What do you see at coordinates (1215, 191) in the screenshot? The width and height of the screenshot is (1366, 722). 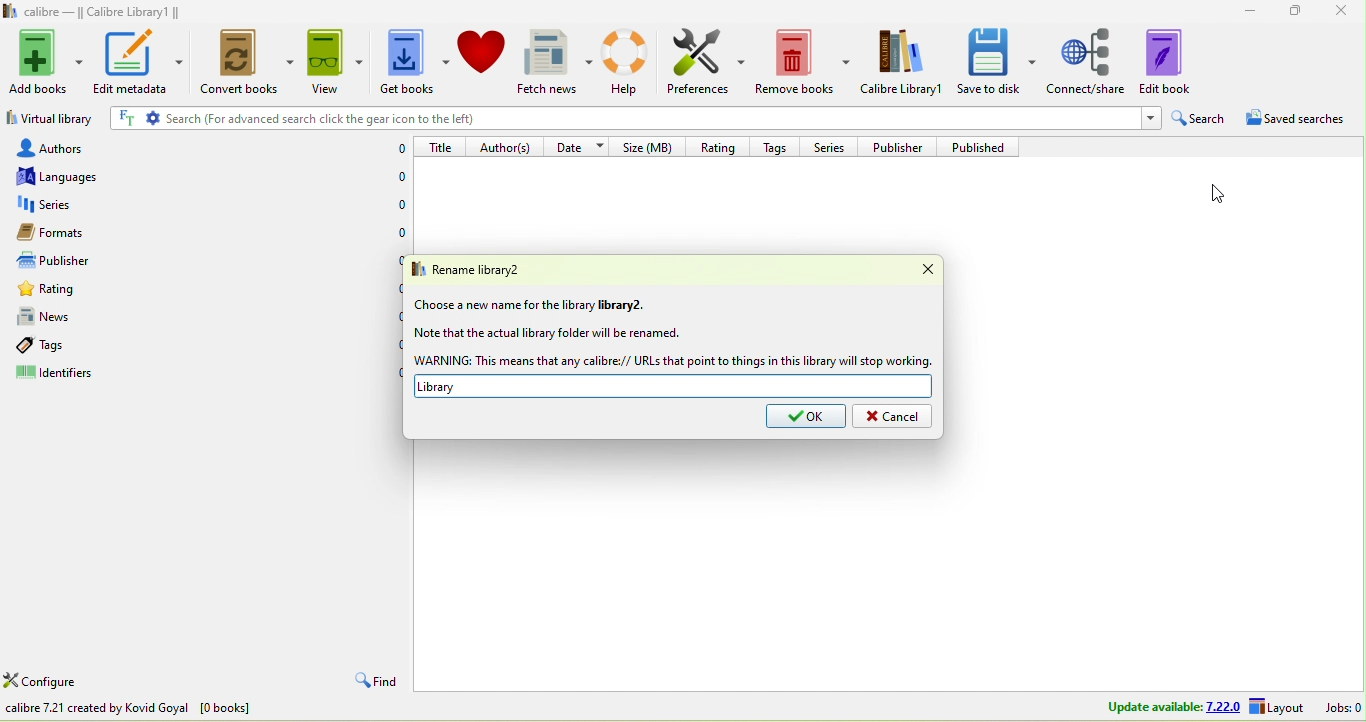 I see `cursor` at bounding box center [1215, 191].